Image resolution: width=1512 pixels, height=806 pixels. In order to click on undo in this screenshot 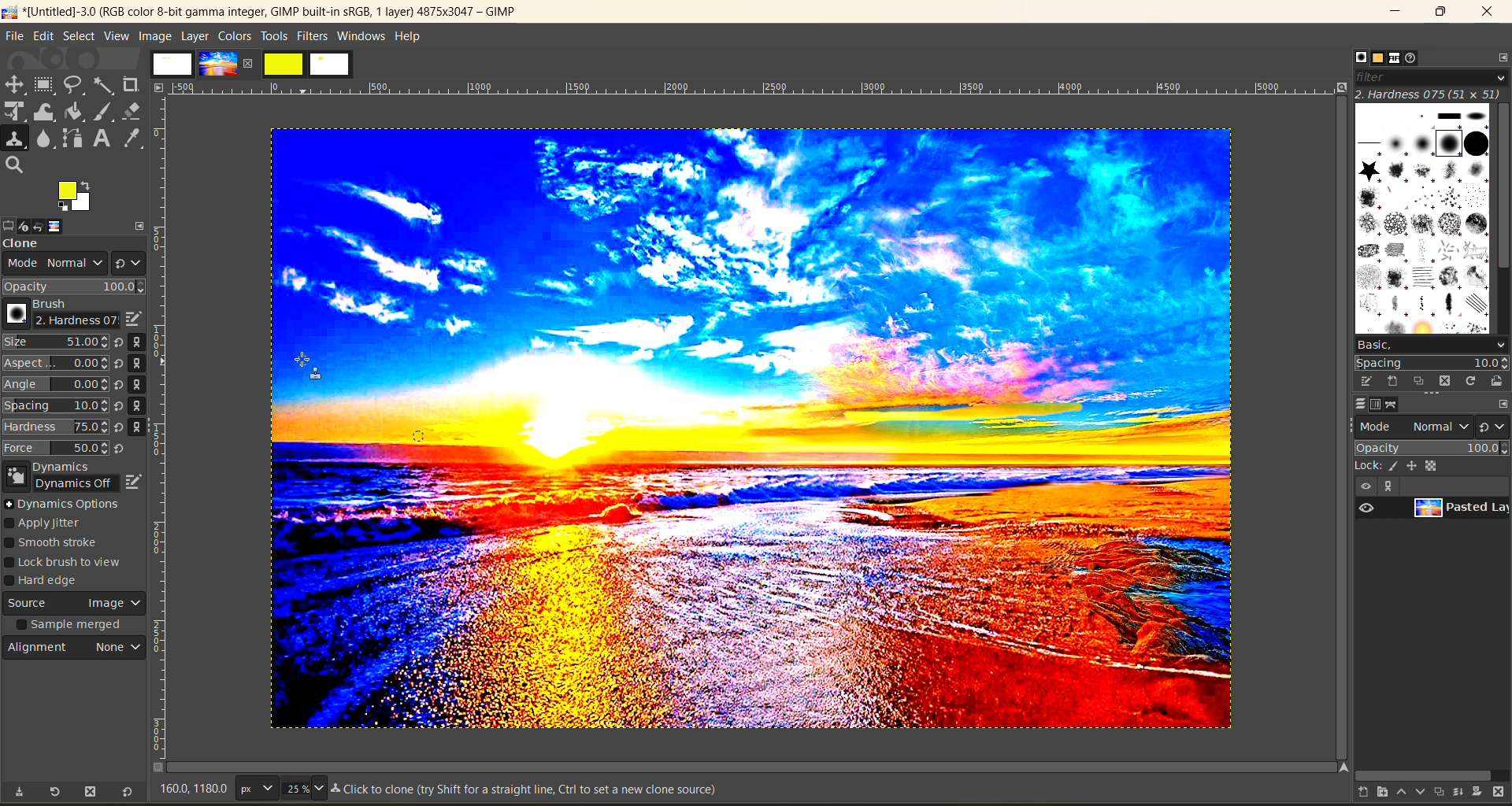, I will do `click(48, 225)`.